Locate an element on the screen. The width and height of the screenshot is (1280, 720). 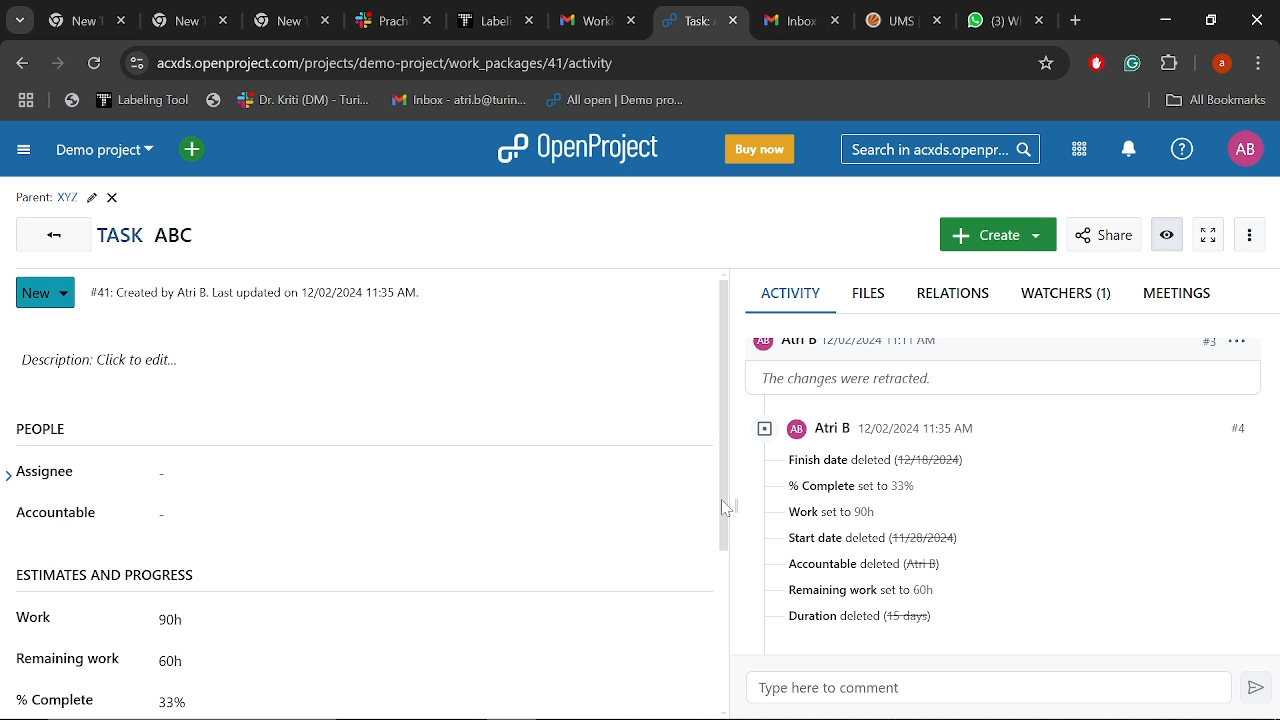
remaining work is located at coordinates (66, 658).